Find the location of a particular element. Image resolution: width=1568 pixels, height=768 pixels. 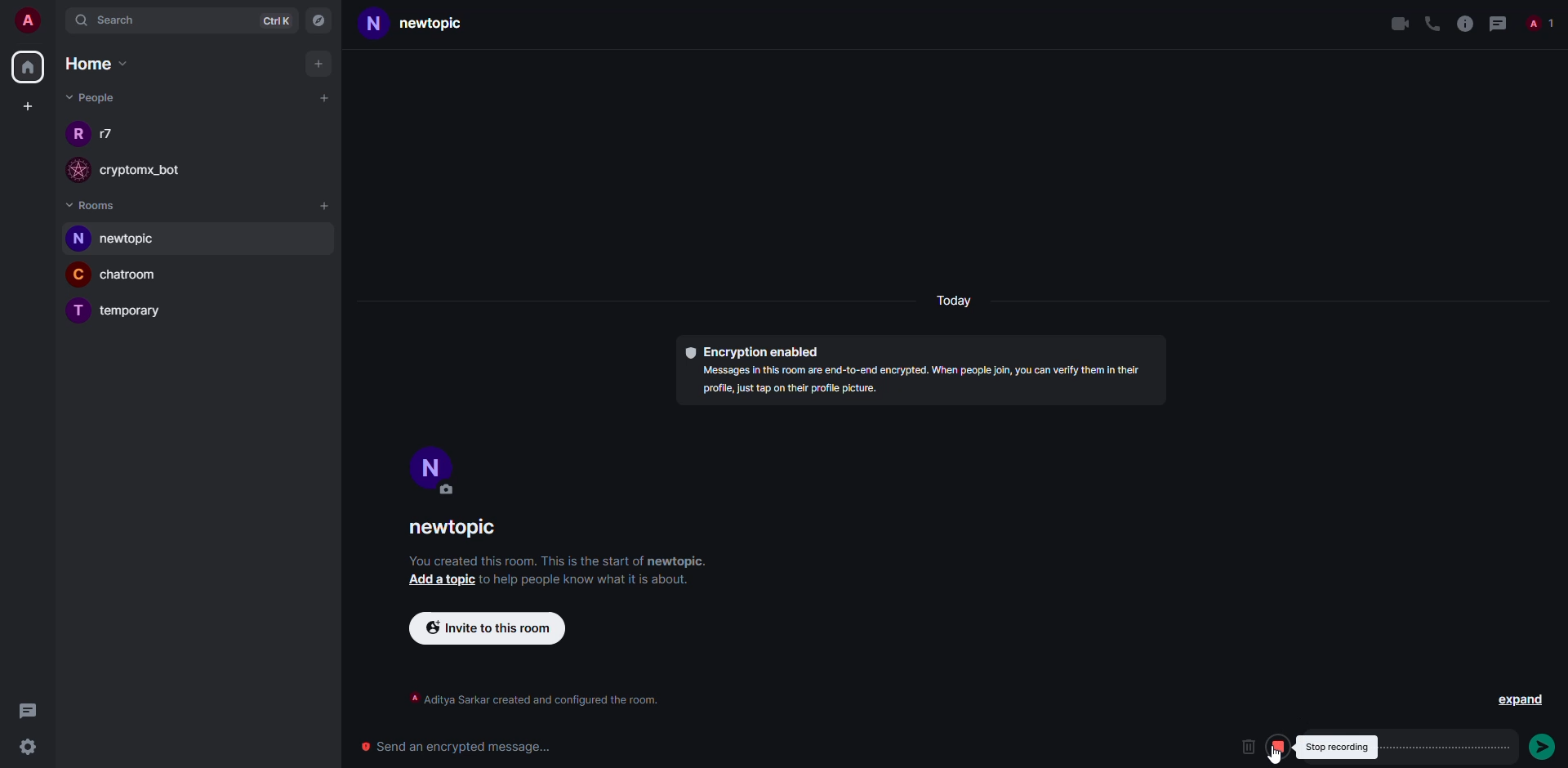

info is located at coordinates (925, 383).